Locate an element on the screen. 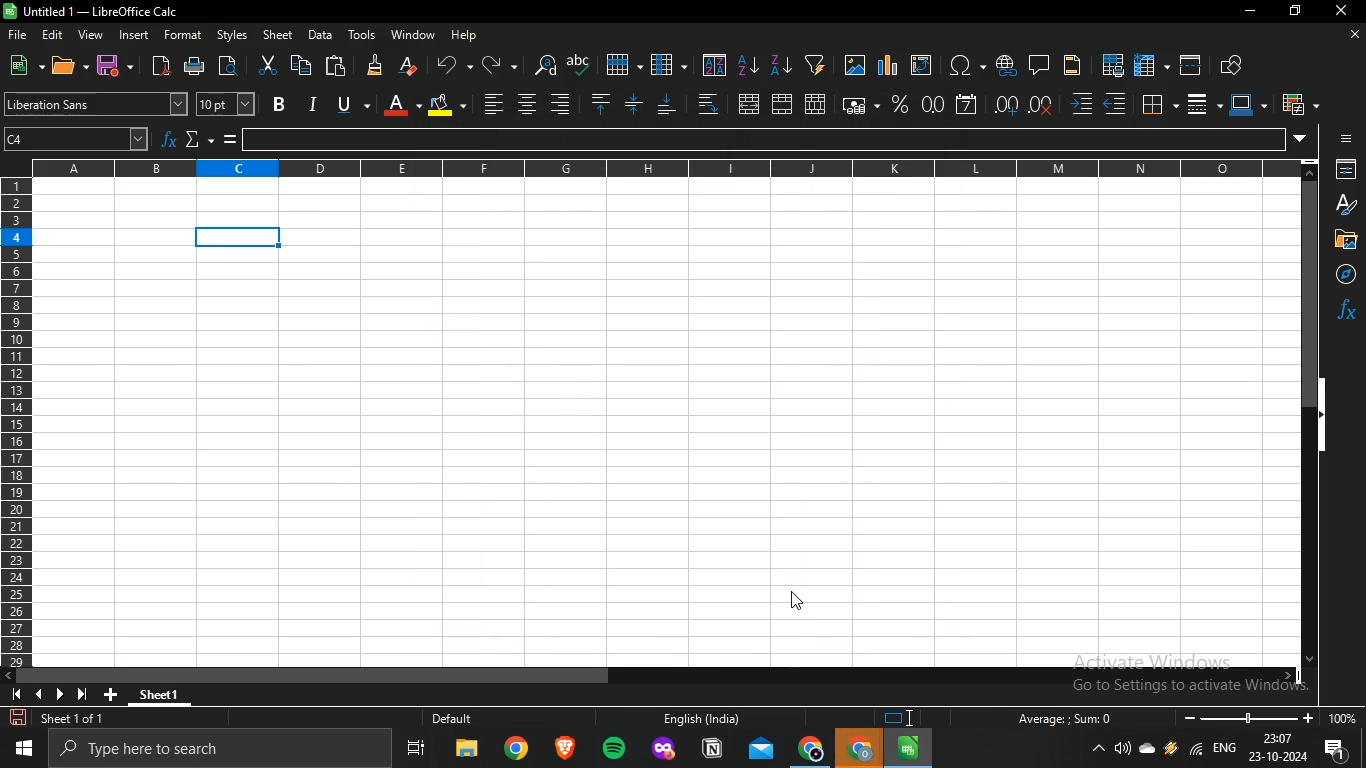 The image size is (1366, 768). insert comment  is located at coordinates (1039, 63).